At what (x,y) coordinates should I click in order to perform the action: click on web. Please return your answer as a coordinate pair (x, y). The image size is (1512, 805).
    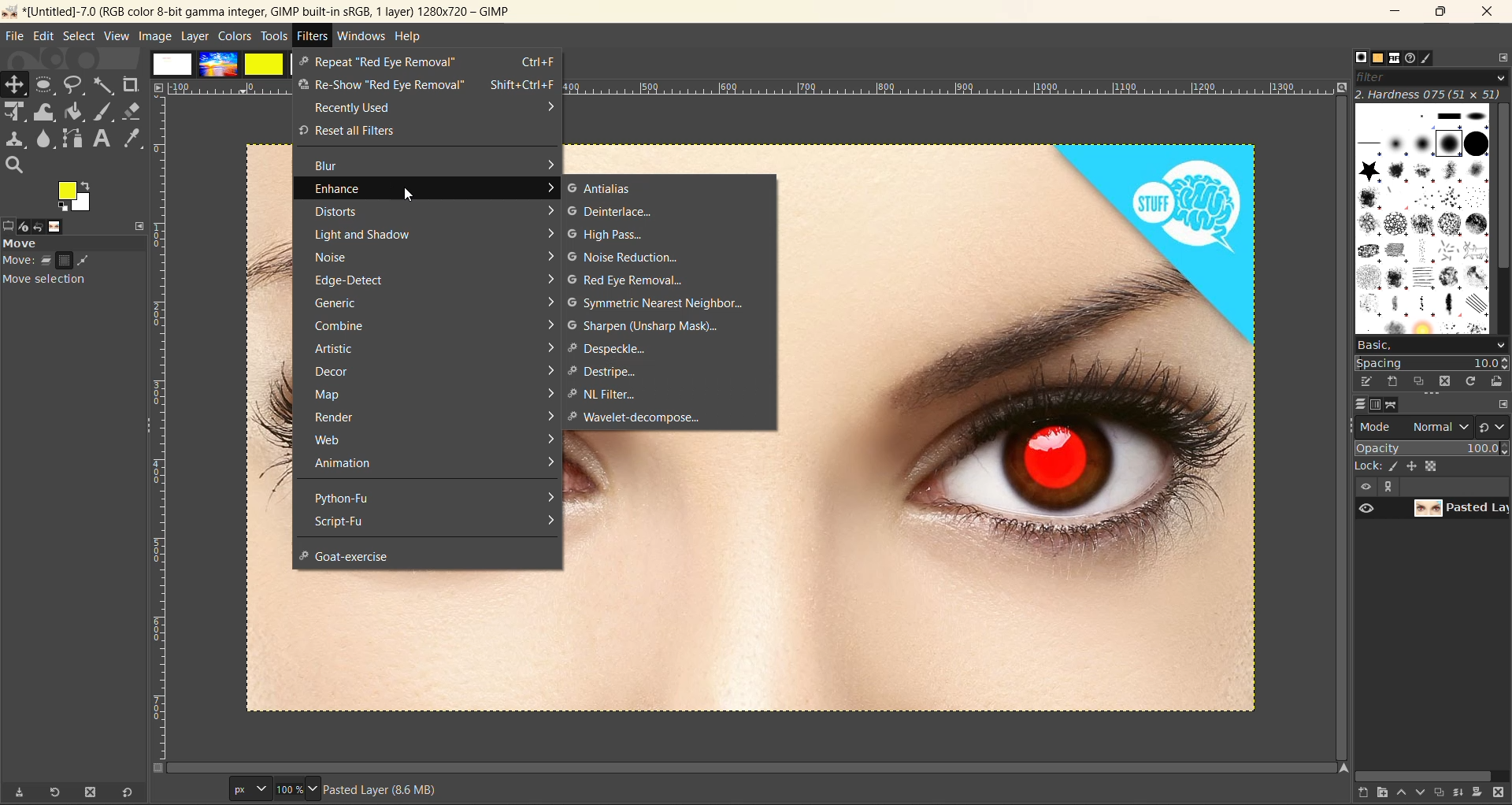
    Looking at the image, I should click on (431, 440).